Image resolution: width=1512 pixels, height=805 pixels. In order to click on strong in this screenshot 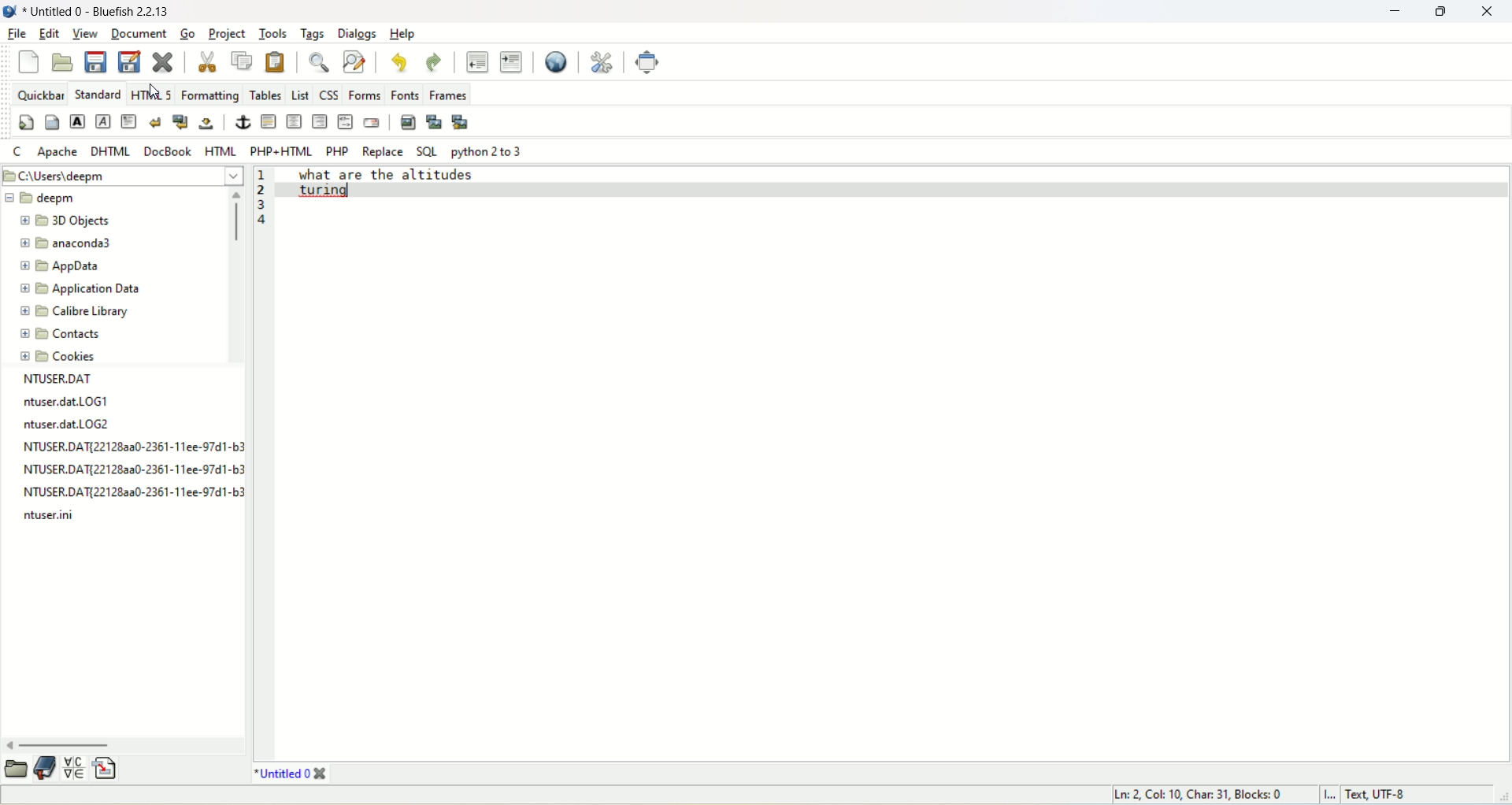, I will do `click(78, 123)`.